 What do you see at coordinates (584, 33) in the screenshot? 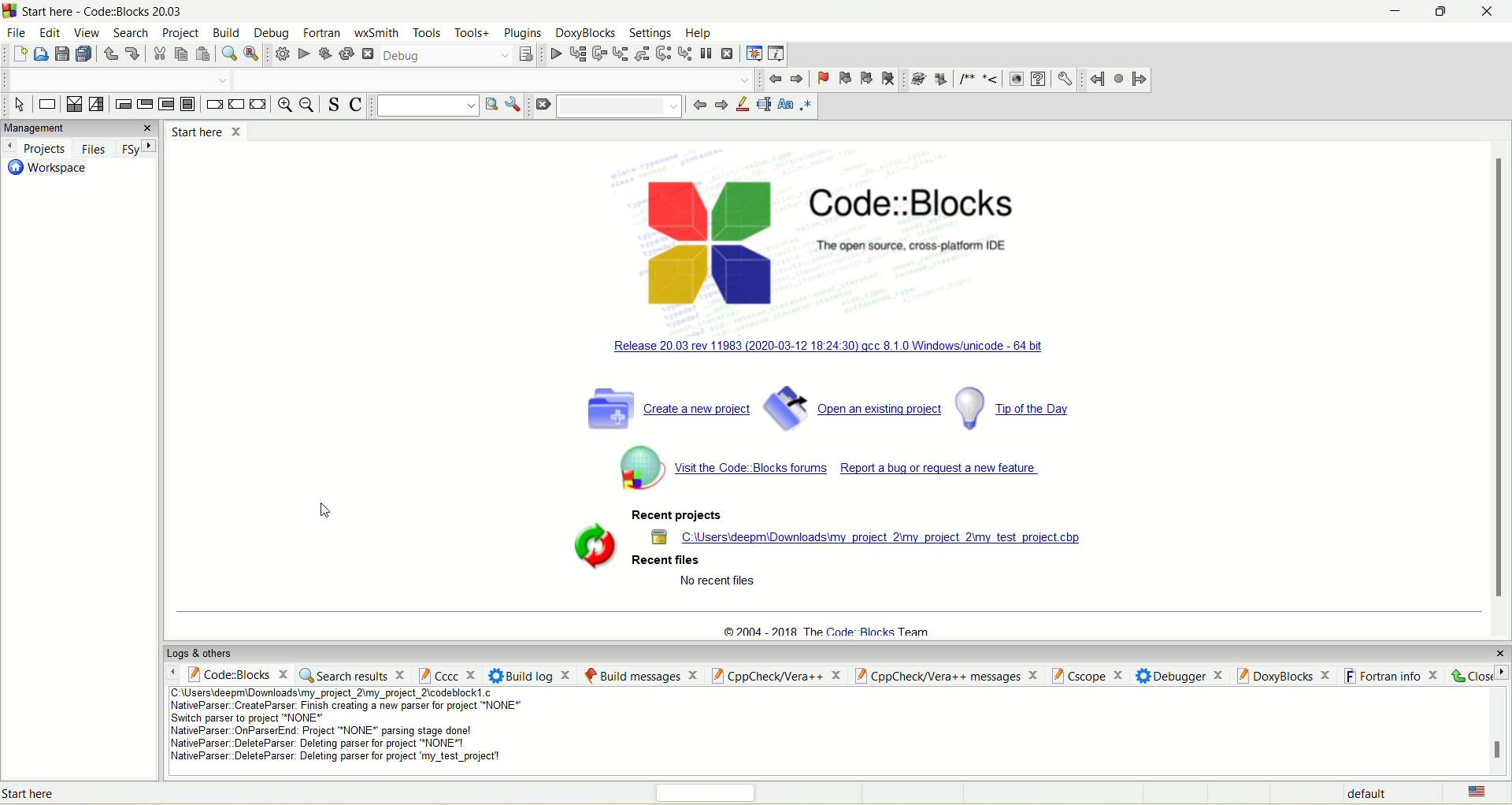
I see `doxyblocks` at bounding box center [584, 33].